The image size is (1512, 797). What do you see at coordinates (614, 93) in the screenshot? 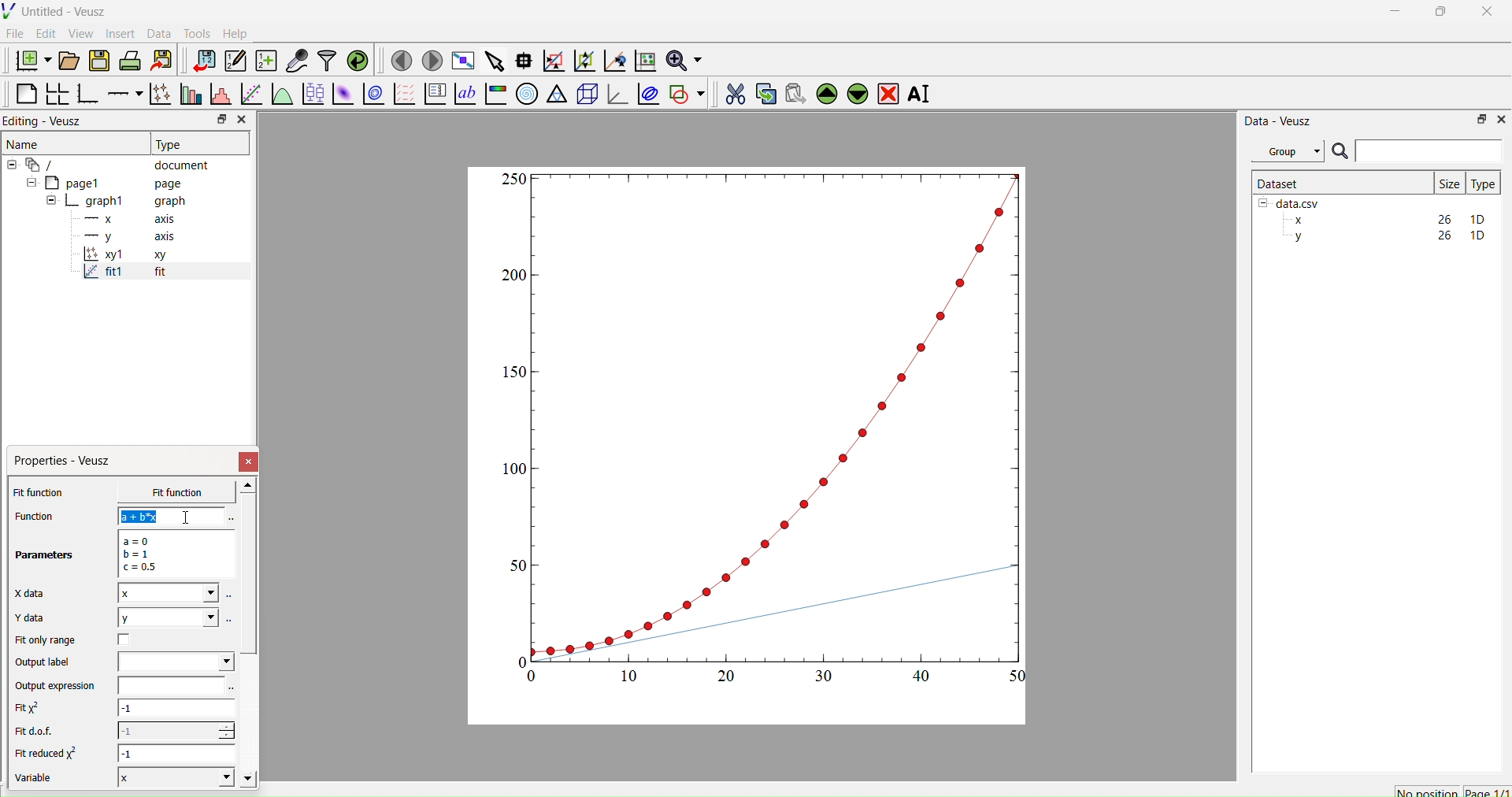
I see `3d Graph` at bounding box center [614, 93].